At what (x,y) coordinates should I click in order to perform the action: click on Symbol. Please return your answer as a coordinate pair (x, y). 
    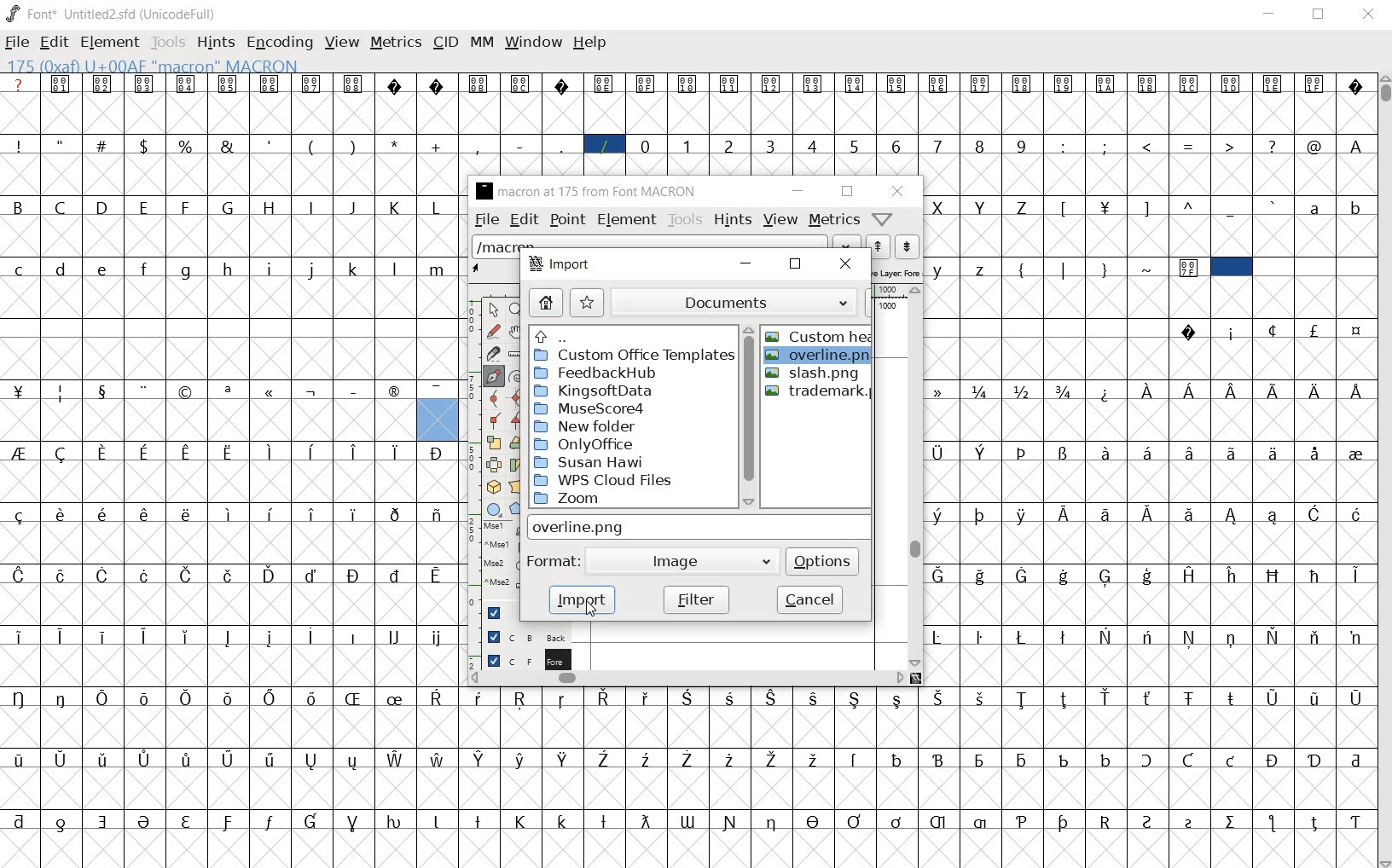
    Looking at the image, I should click on (816, 697).